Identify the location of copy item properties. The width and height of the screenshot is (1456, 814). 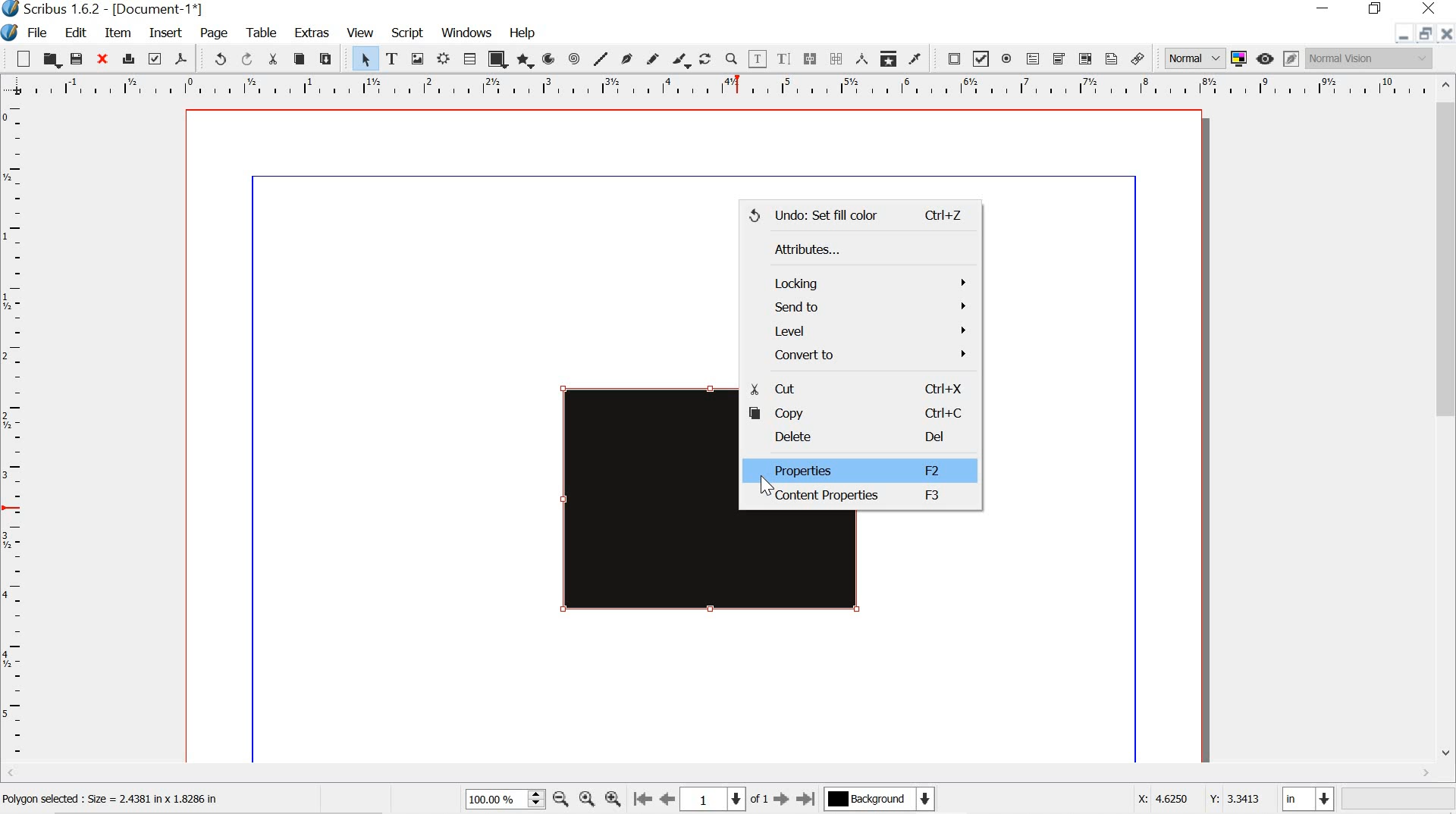
(888, 57).